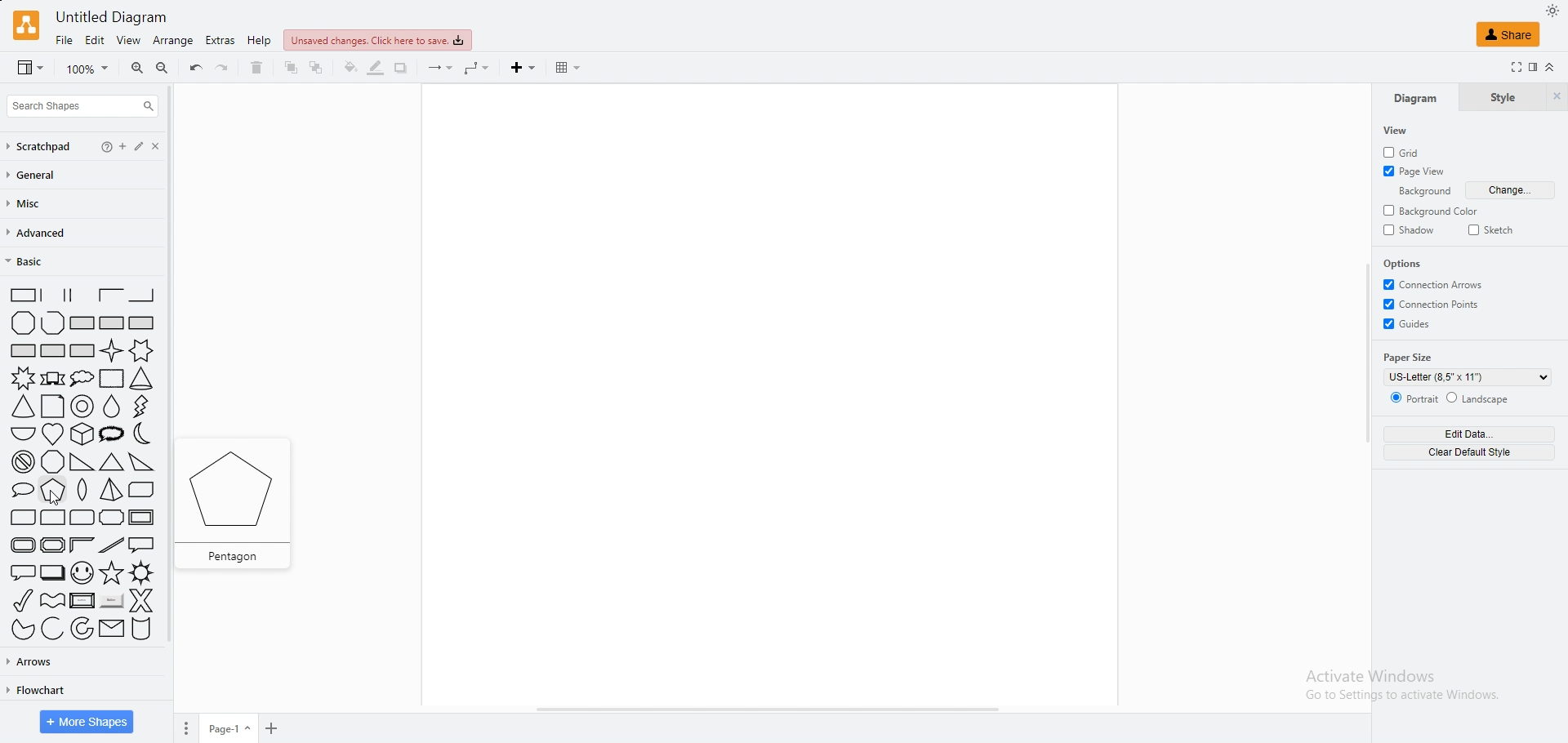 The height and width of the screenshot is (743, 1568). What do you see at coordinates (54, 491) in the screenshot?
I see `pentagon` at bounding box center [54, 491].